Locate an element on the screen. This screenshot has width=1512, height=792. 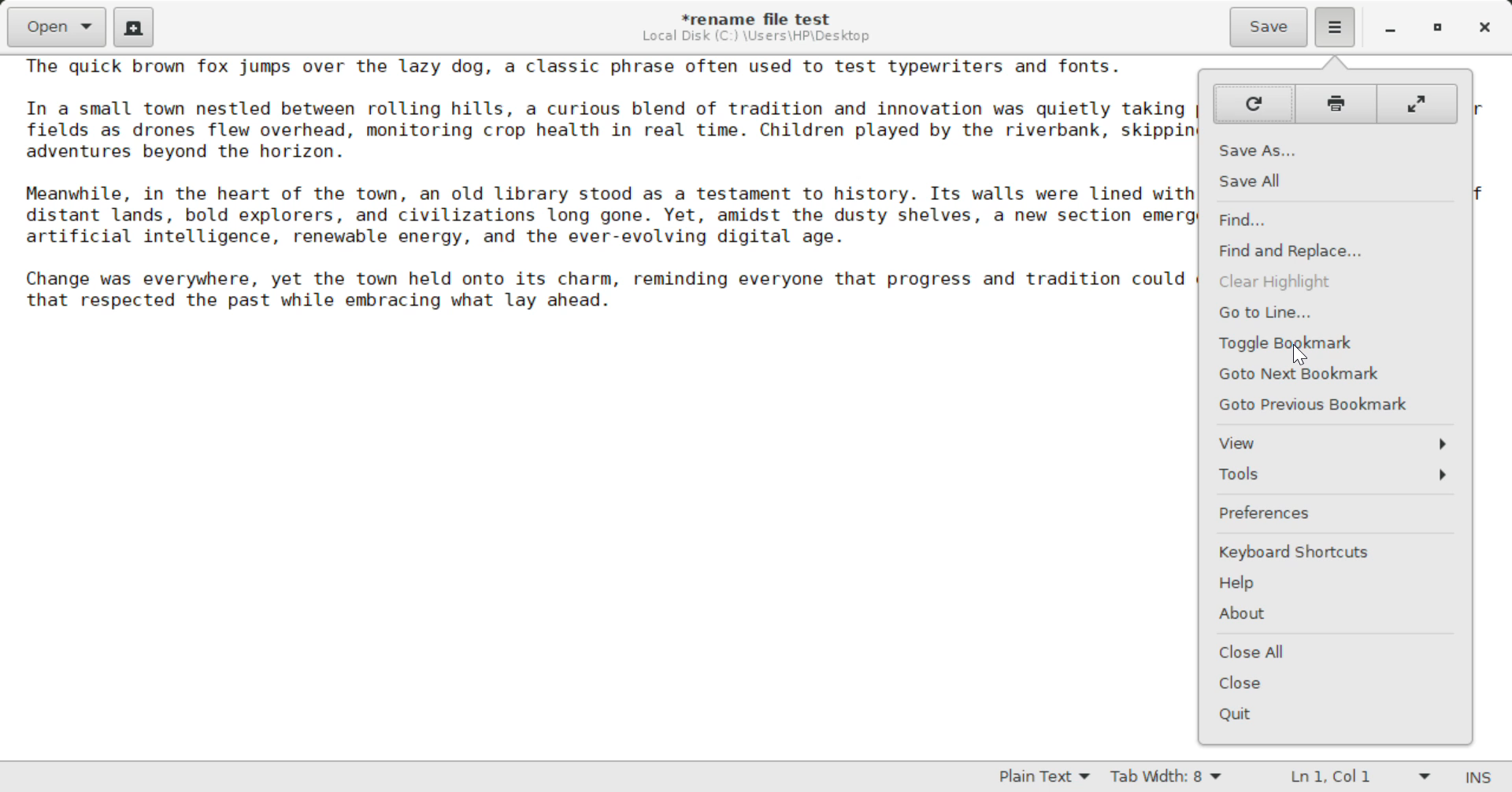
Close is located at coordinates (1336, 683).